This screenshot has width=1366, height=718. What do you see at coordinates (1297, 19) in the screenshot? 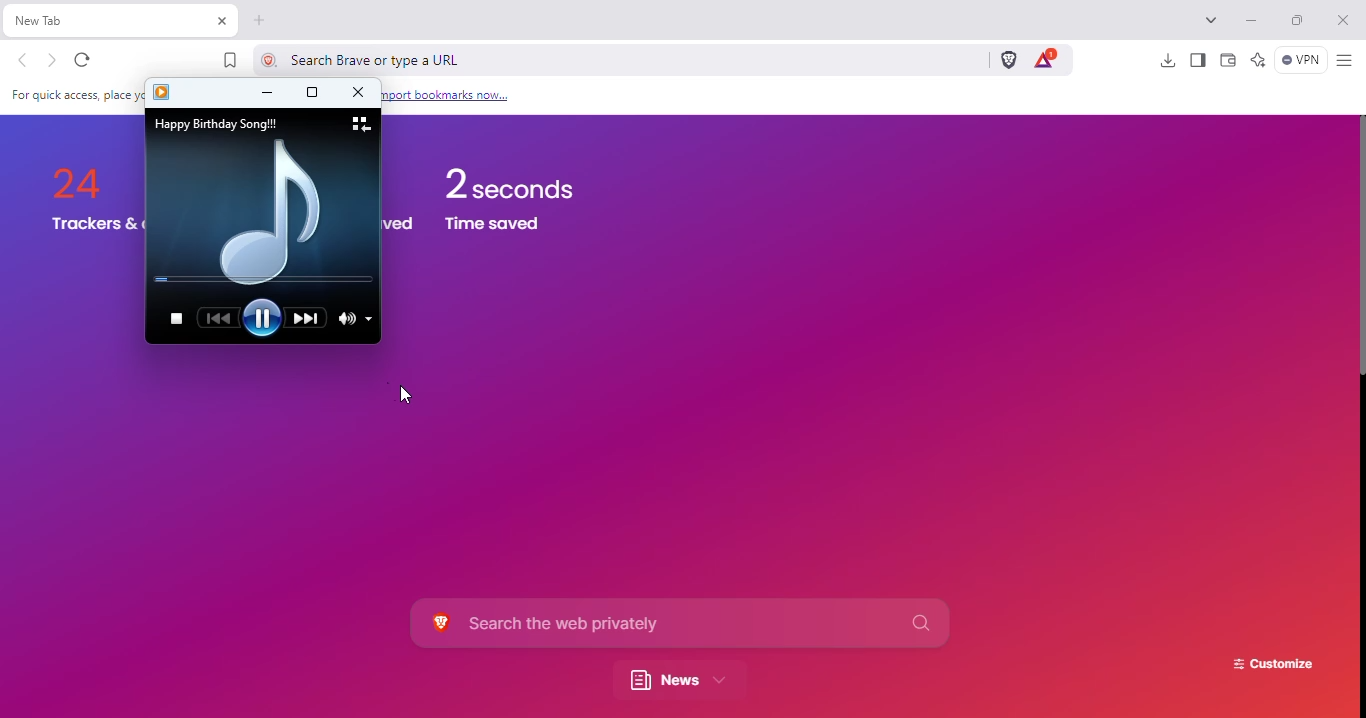
I see `maximize` at bounding box center [1297, 19].